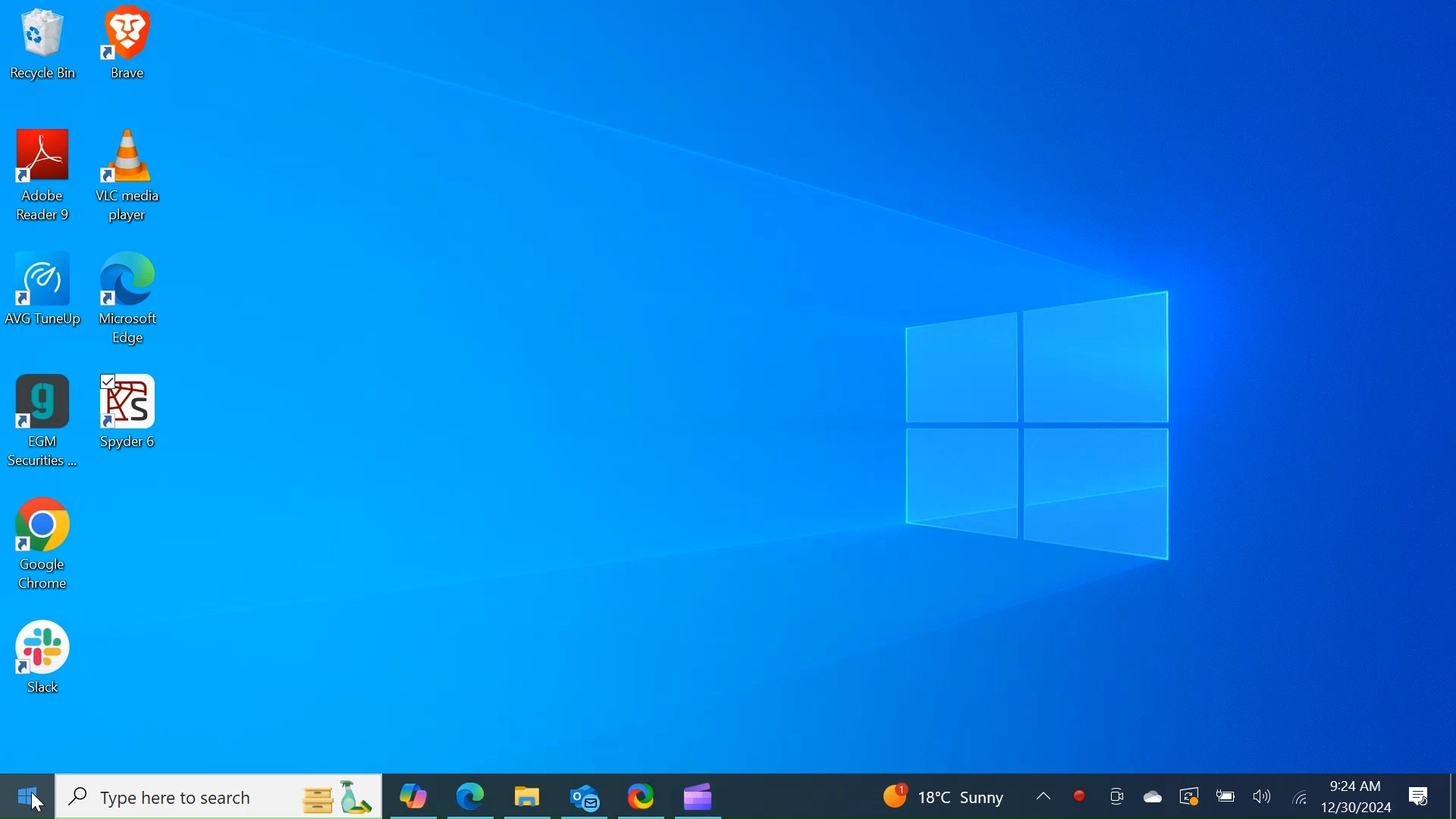  I want to click on Google Chrome Desktop Icon, so click(44, 545).